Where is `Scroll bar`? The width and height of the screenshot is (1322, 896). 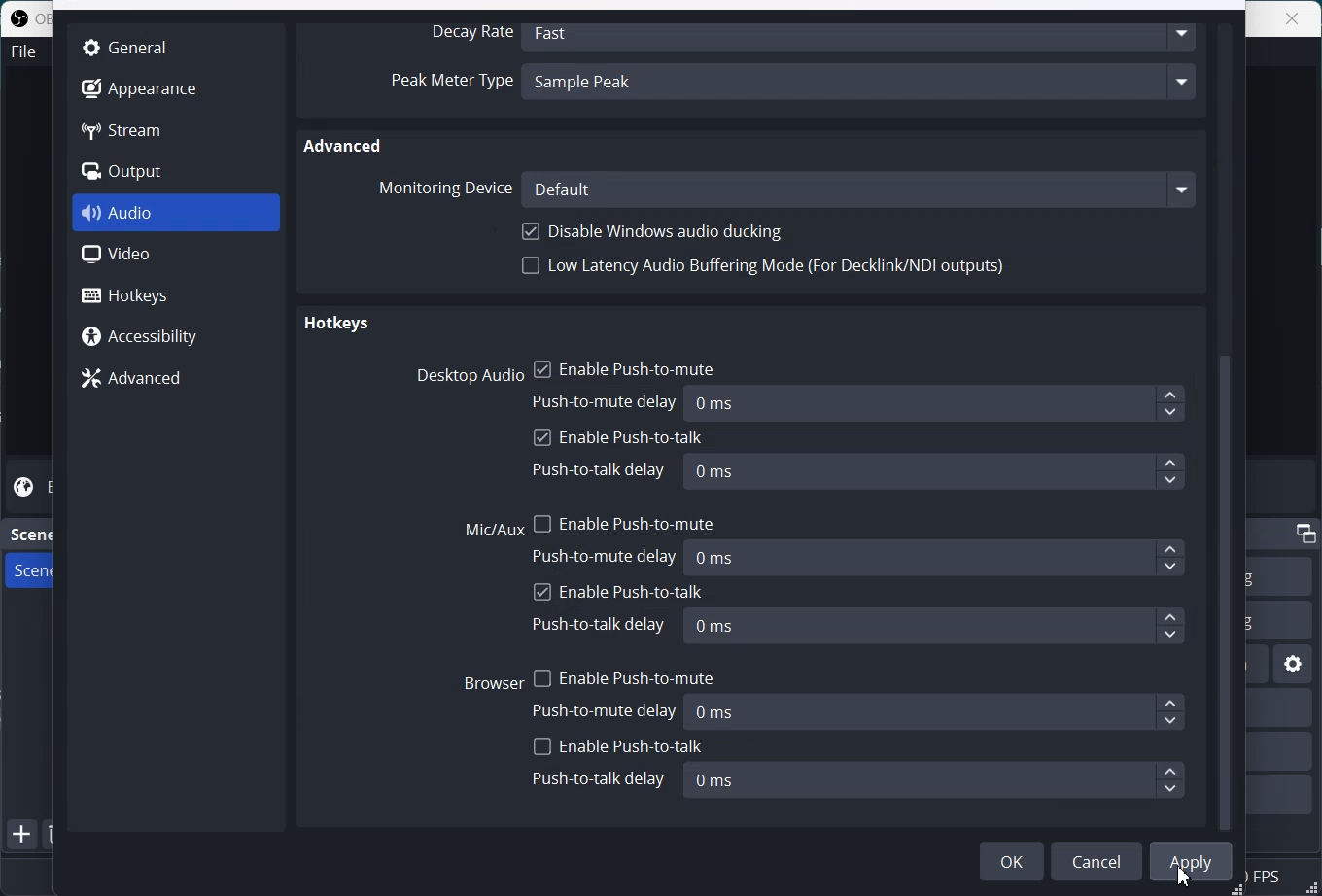 Scroll bar is located at coordinates (1231, 425).